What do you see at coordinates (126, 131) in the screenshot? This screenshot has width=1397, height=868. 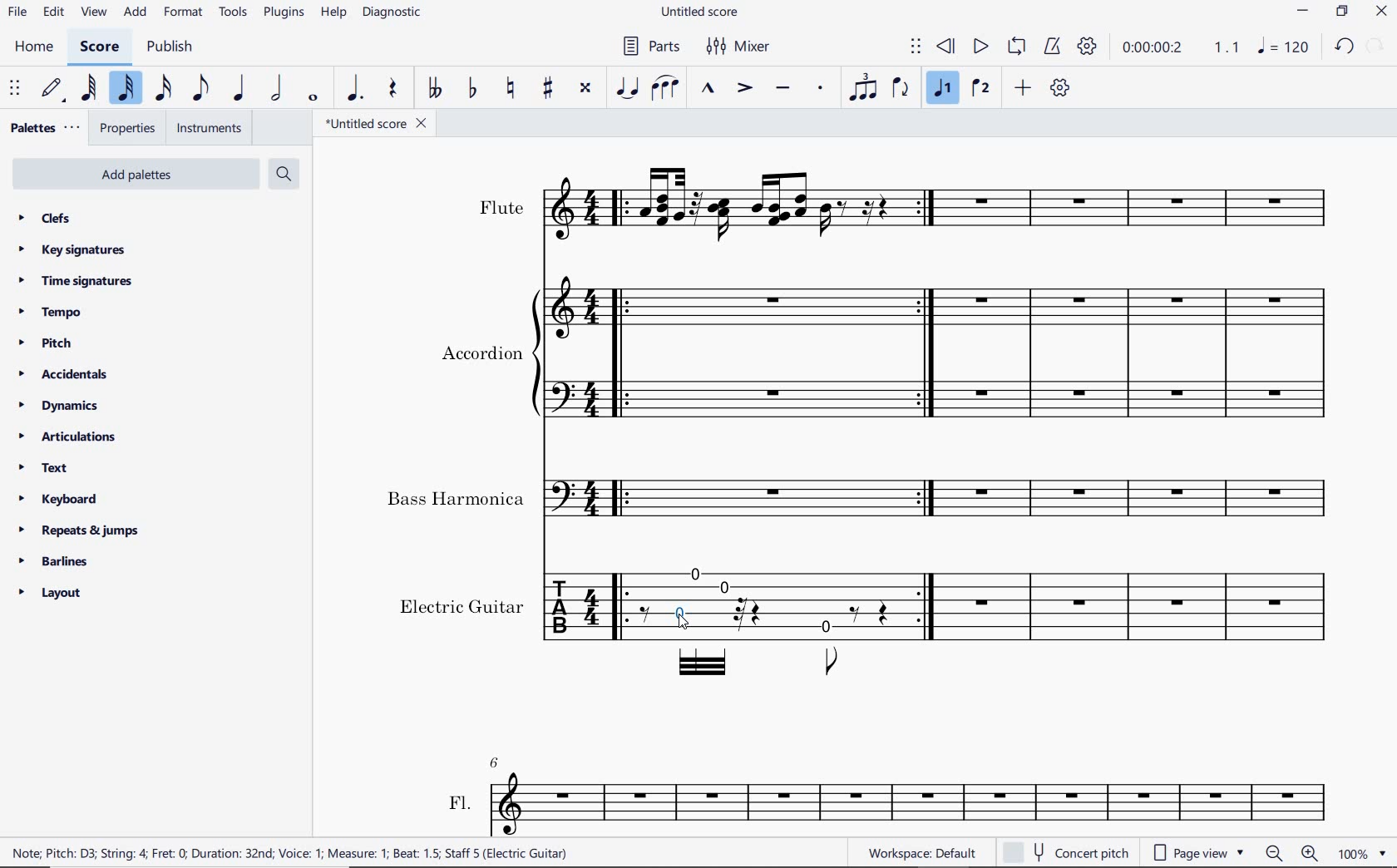 I see `properties` at bounding box center [126, 131].